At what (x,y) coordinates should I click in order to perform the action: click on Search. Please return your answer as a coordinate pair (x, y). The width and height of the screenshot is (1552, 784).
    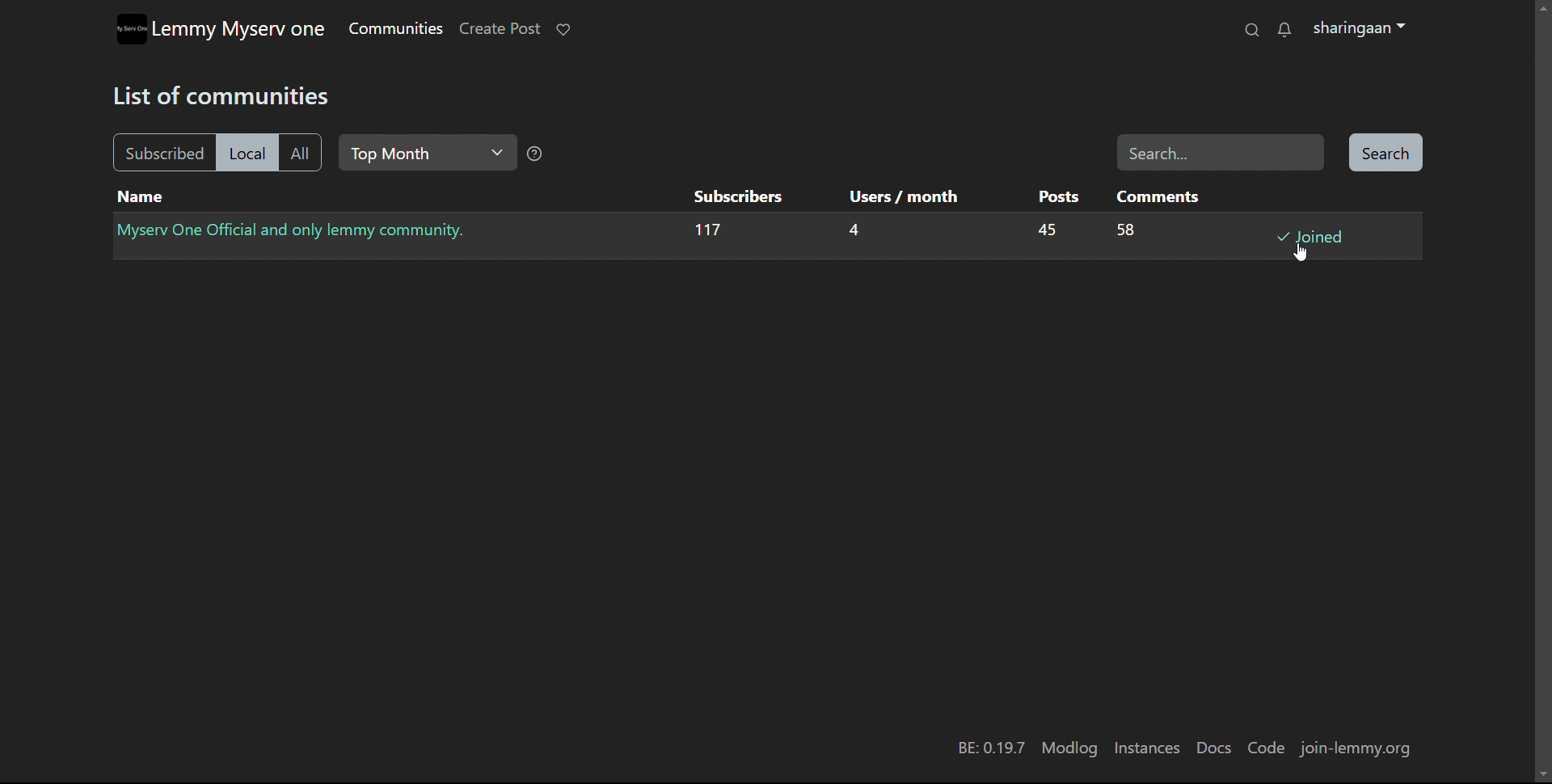
    Looking at the image, I should click on (1221, 152).